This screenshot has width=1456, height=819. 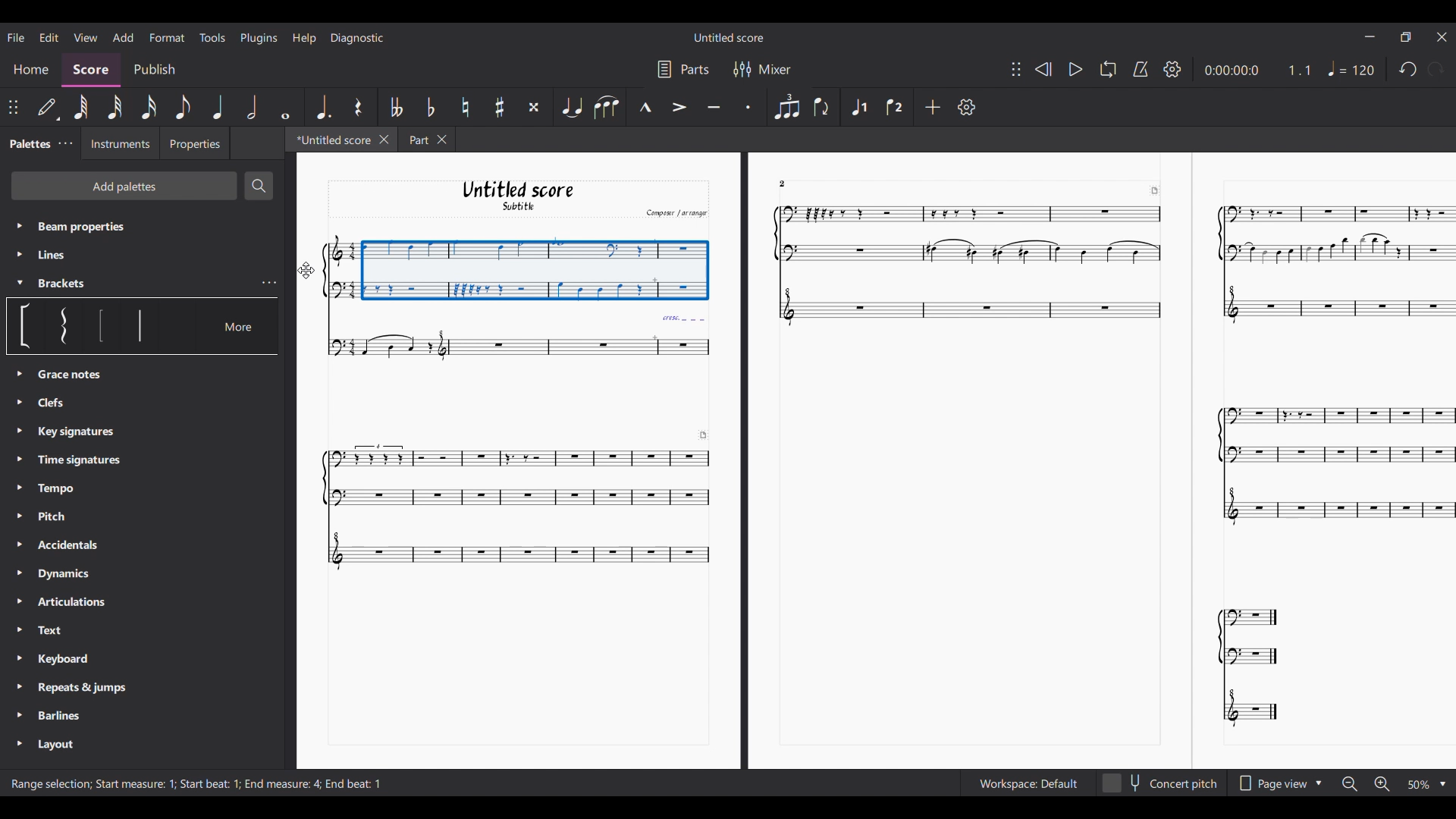 What do you see at coordinates (13, 108) in the screenshot?
I see `Change position` at bounding box center [13, 108].